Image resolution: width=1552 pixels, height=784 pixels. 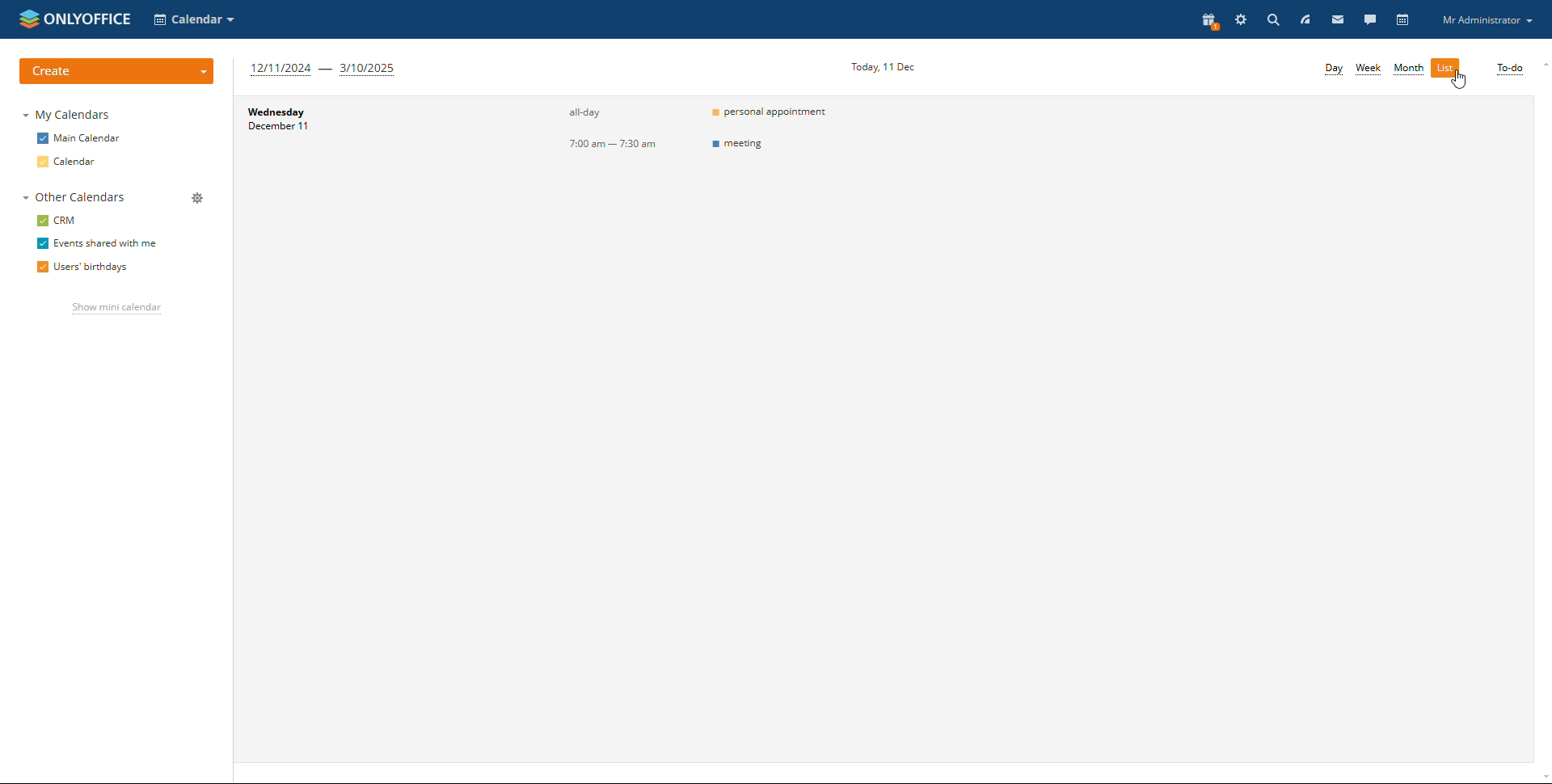 What do you see at coordinates (1542, 65) in the screenshot?
I see `scroll up` at bounding box center [1542, 65].